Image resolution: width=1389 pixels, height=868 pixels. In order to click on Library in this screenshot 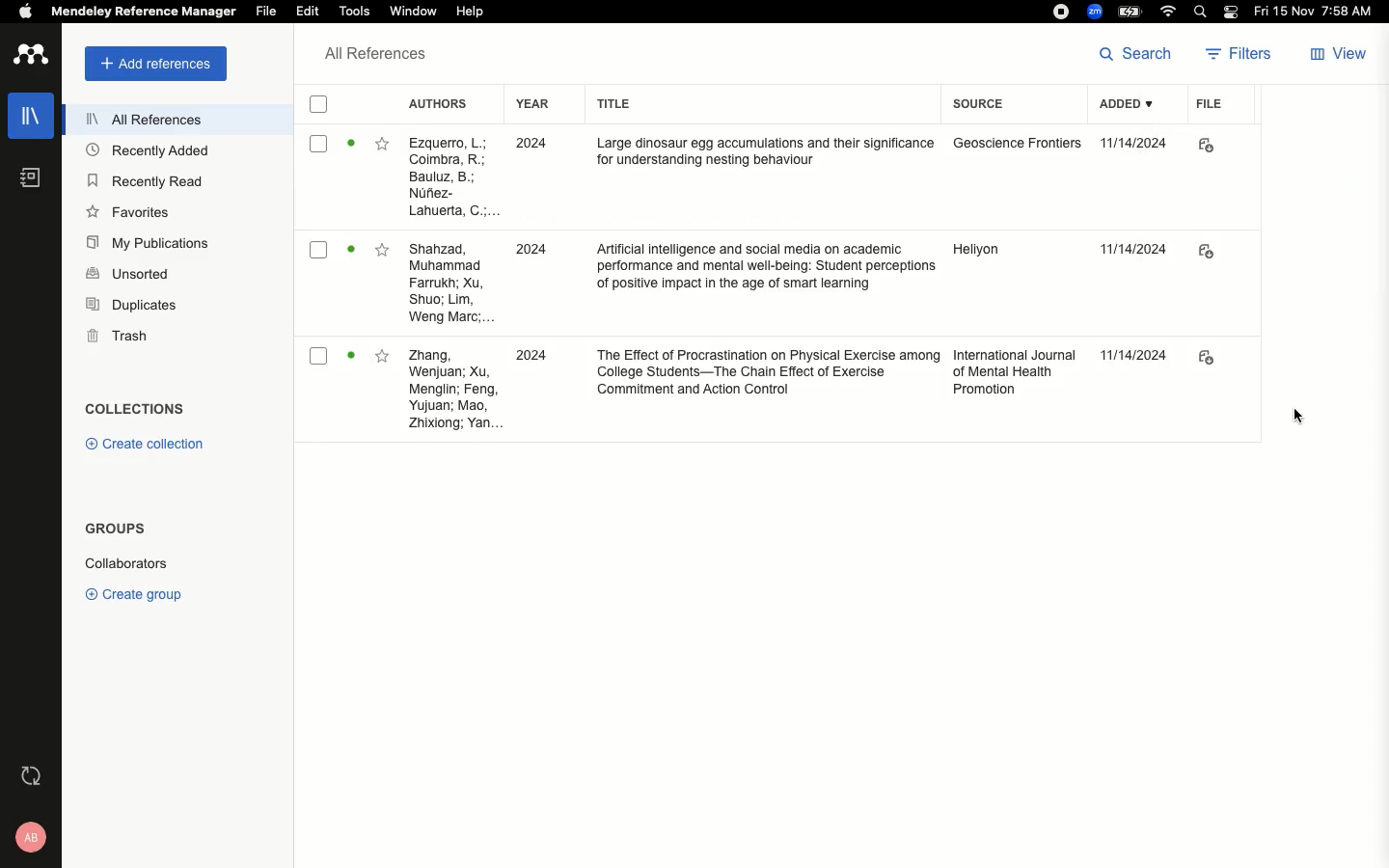, I will do `click(26, 122)`.